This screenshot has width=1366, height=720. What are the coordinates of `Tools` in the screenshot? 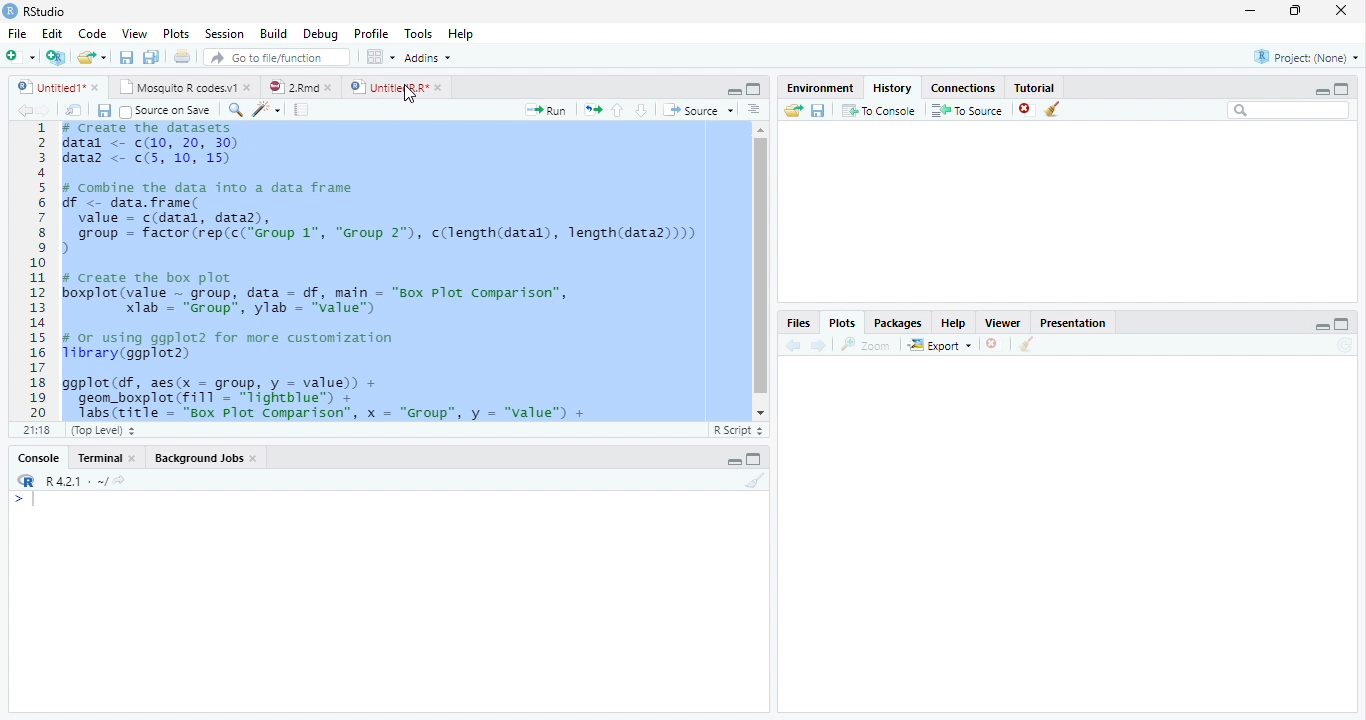 It's located at (418, 32).